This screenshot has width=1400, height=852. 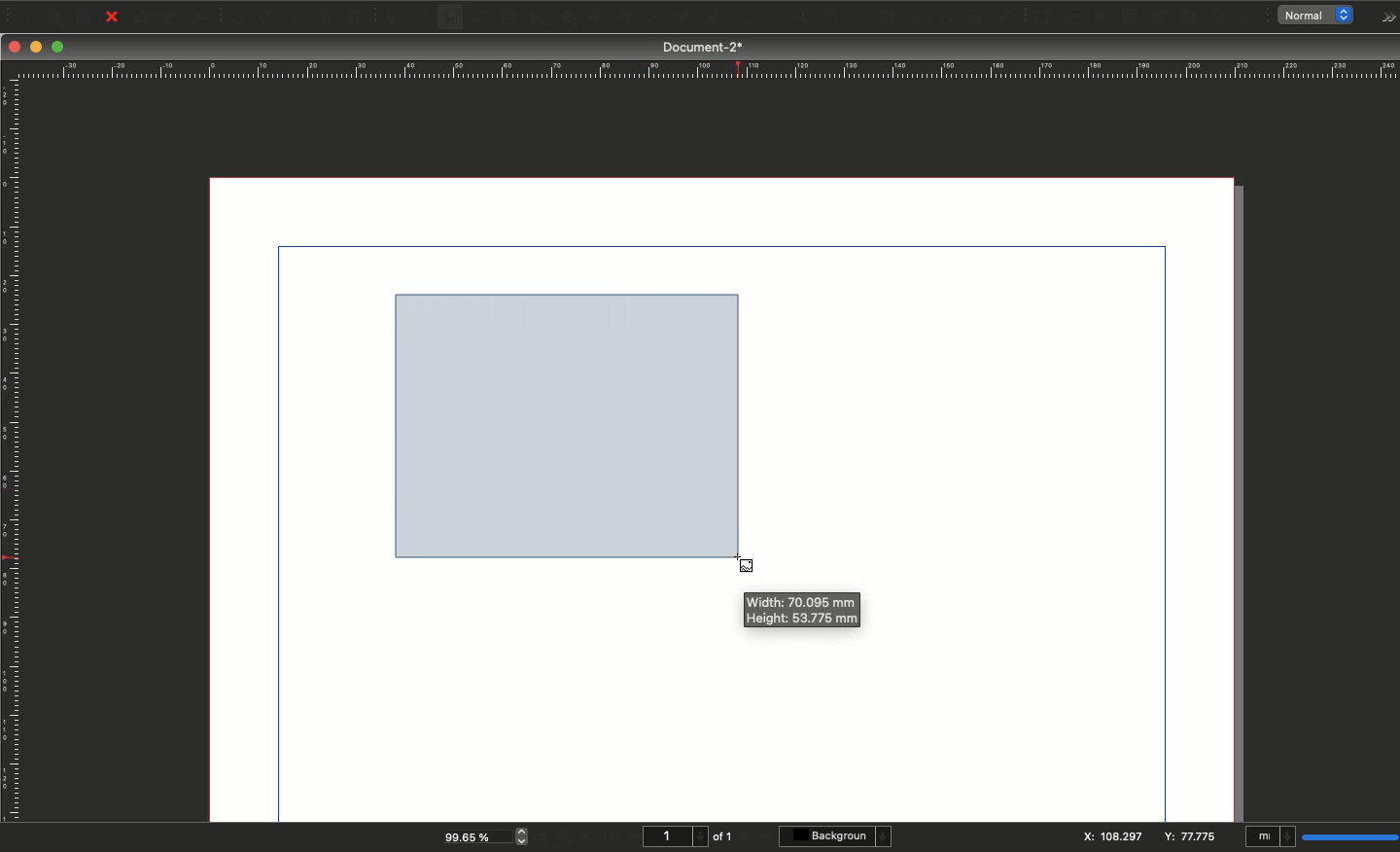 I want to click on of 1, so click(x=723, y=836).